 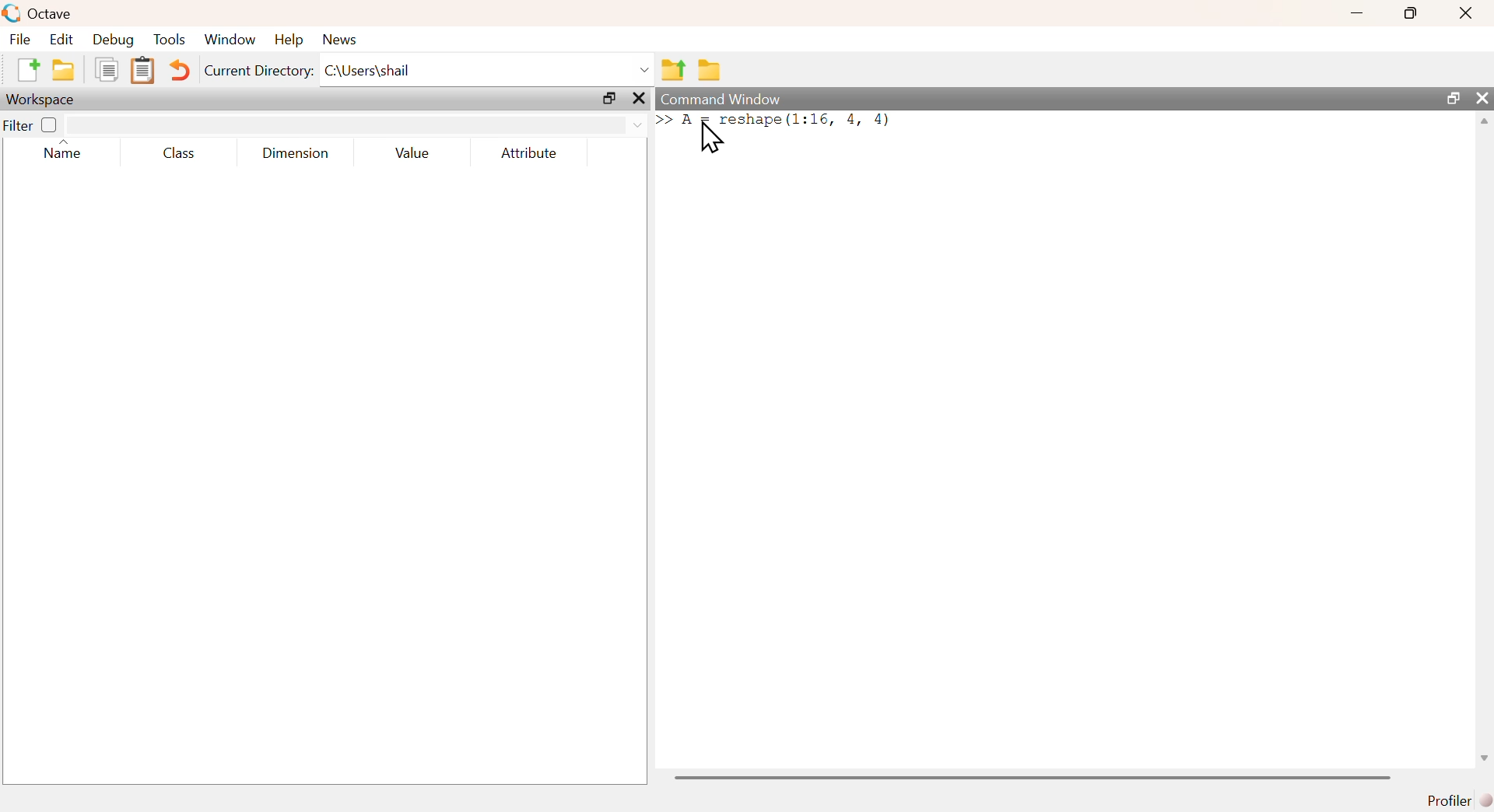 I want to click on scrollbar, so click(x=1485, y=446).